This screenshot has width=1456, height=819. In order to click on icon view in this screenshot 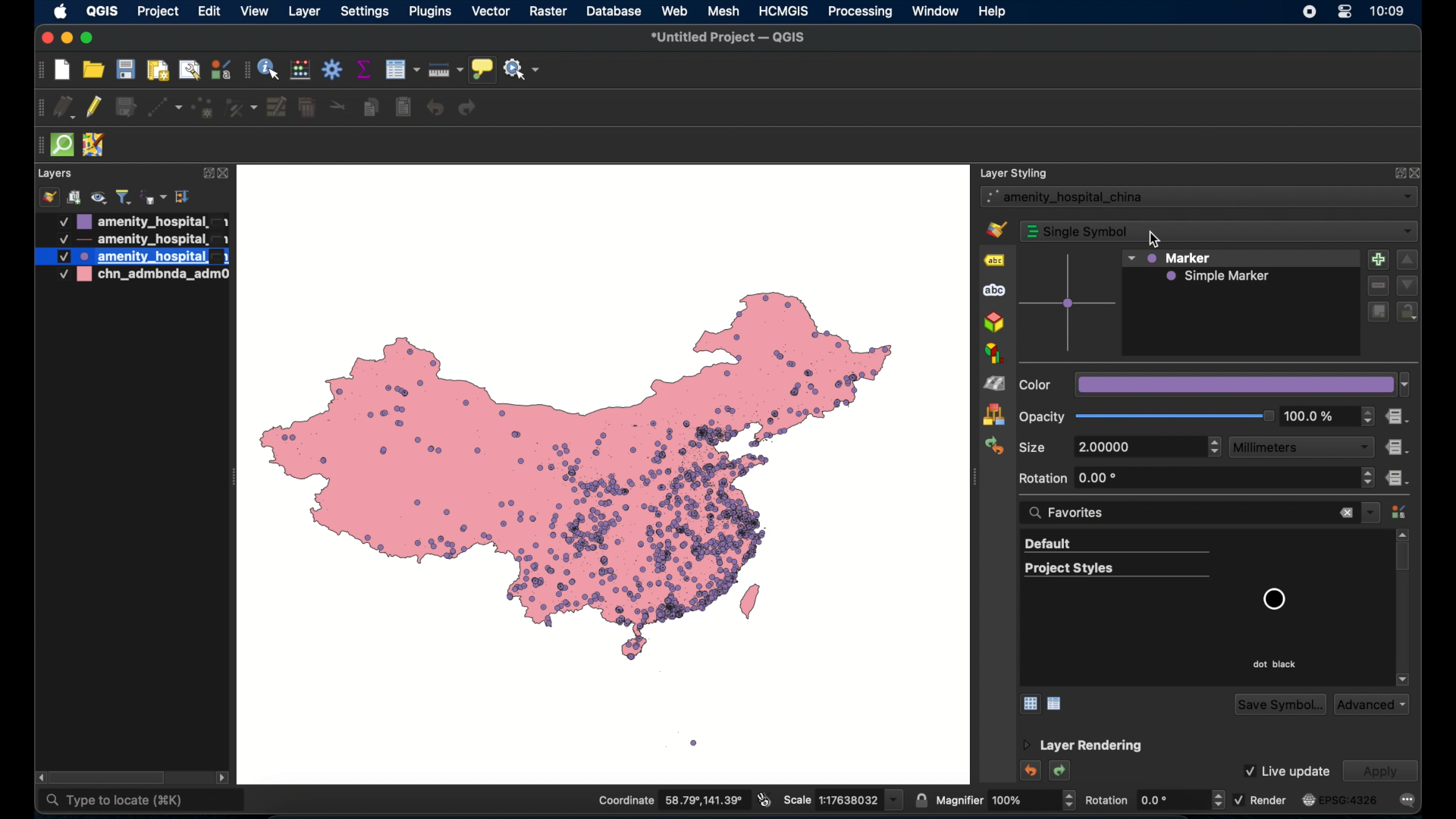, I will do `click(1028, 704)`.